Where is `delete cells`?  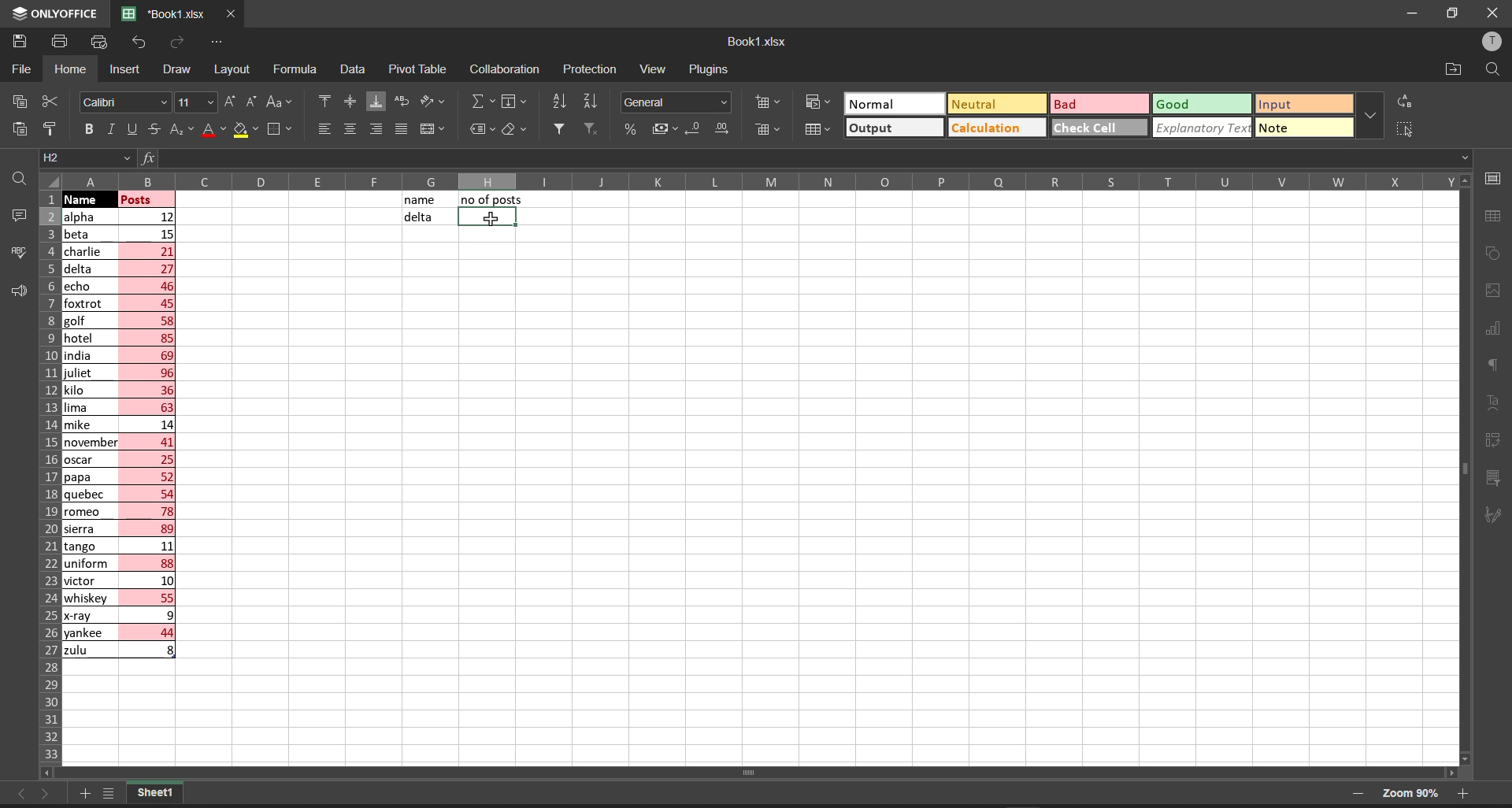 delete cells is located at coordinates (765, 128).